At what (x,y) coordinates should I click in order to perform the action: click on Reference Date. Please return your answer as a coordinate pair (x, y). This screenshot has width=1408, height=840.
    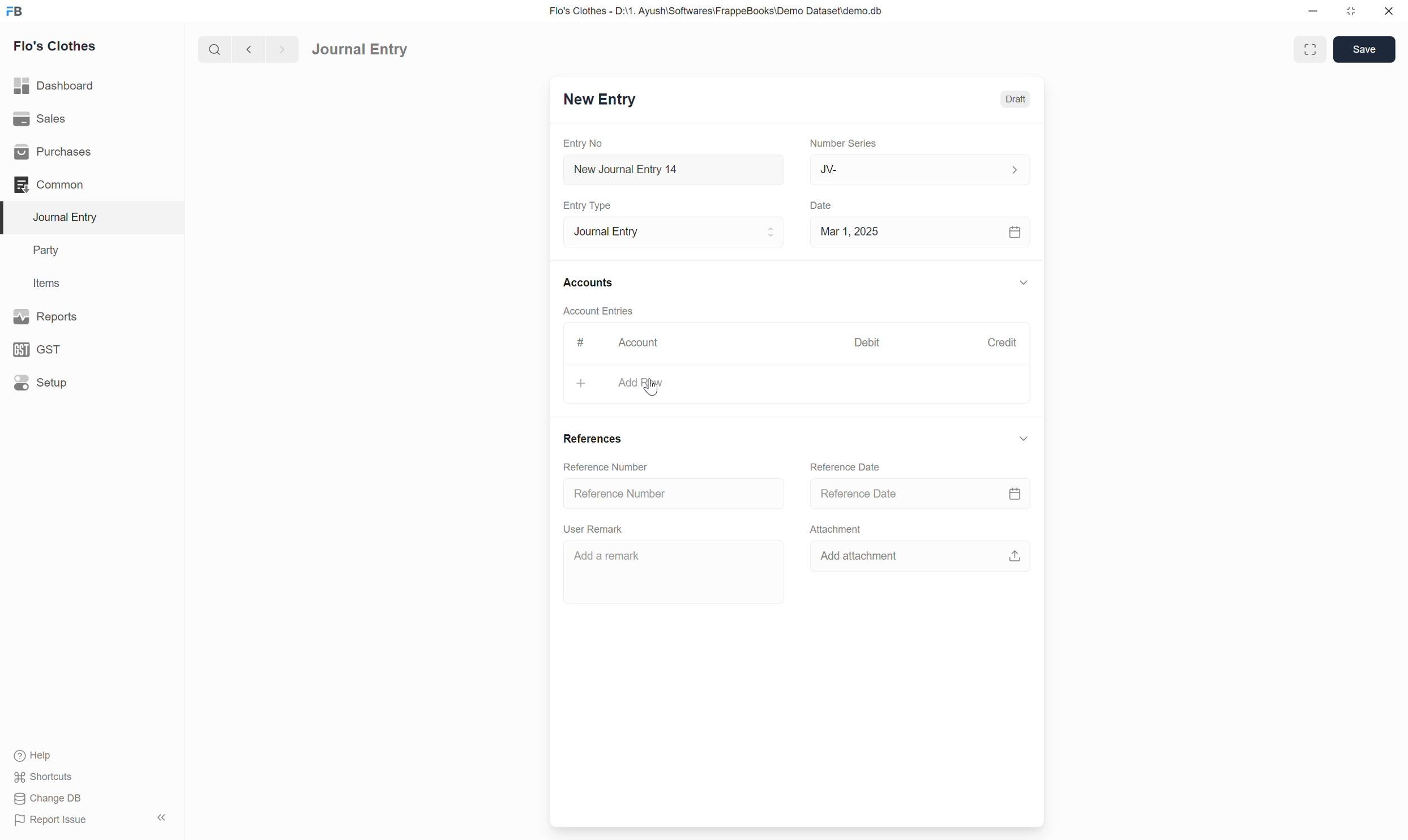
    Looking at the image, I should click on (847, 466).